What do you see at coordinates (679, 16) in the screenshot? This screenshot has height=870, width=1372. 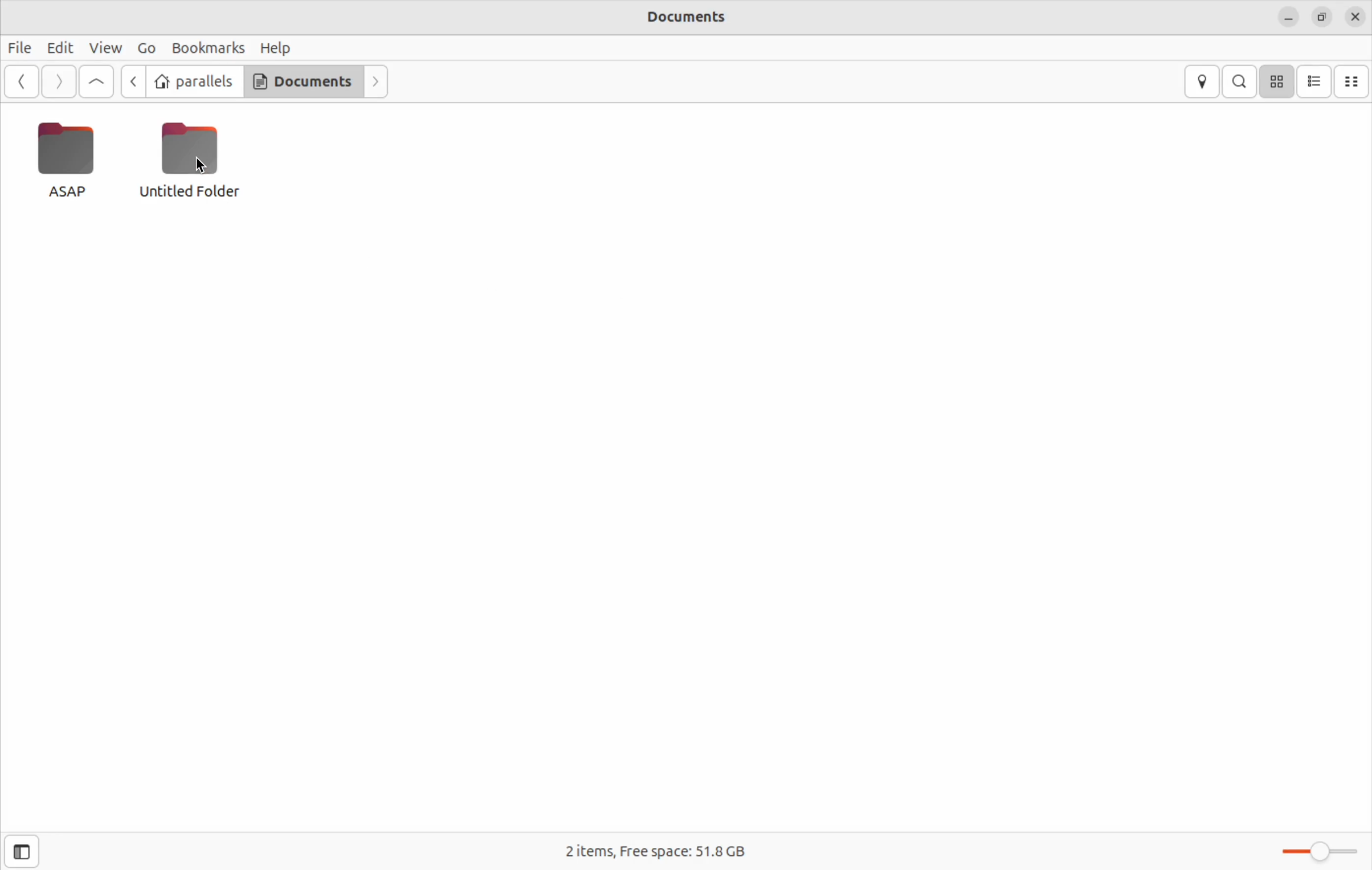 I see `Documents` at bounding box center [679, 16].